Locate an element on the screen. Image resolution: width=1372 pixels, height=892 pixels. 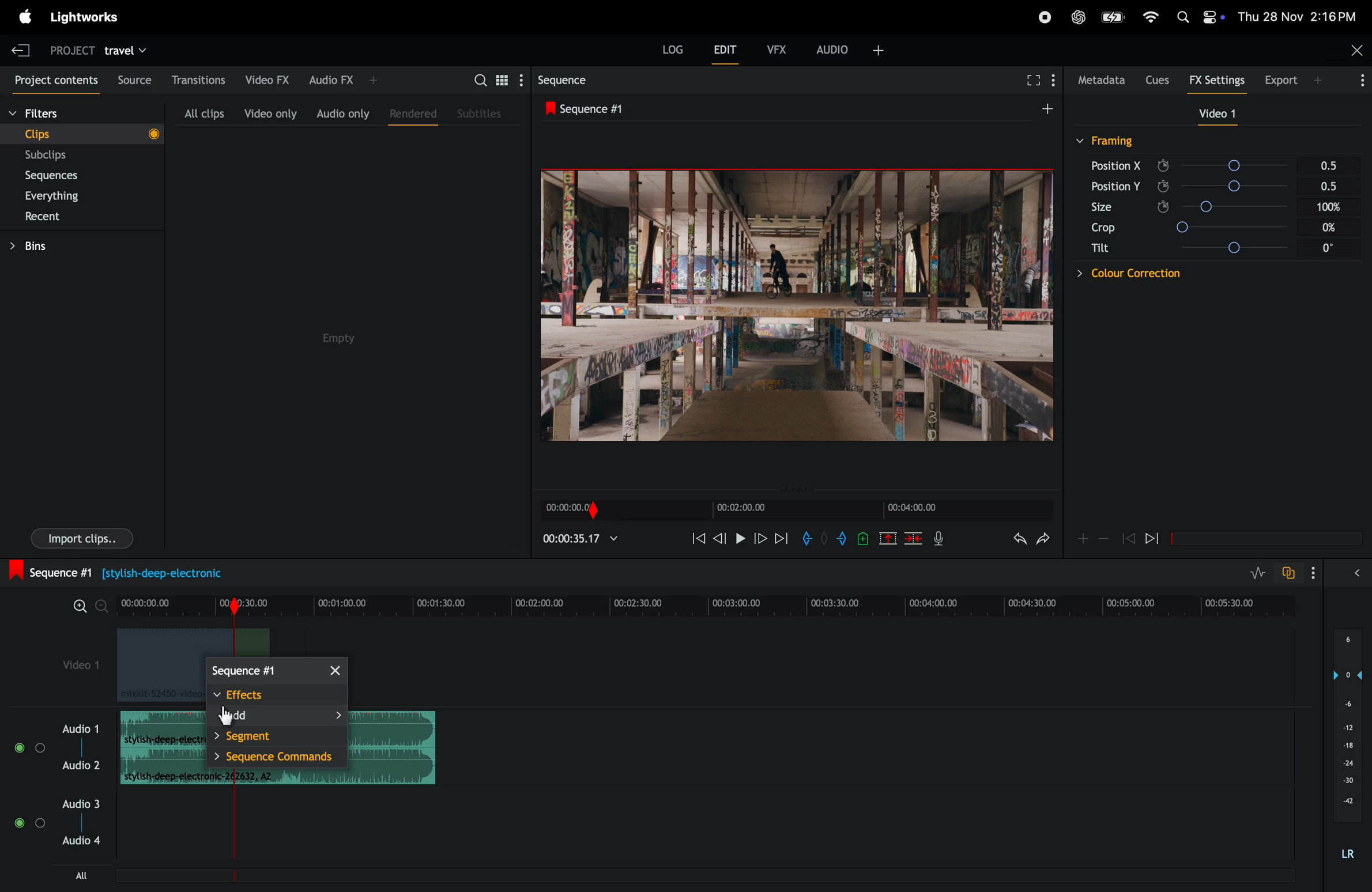
undo is located at coordinates (1043, 542).